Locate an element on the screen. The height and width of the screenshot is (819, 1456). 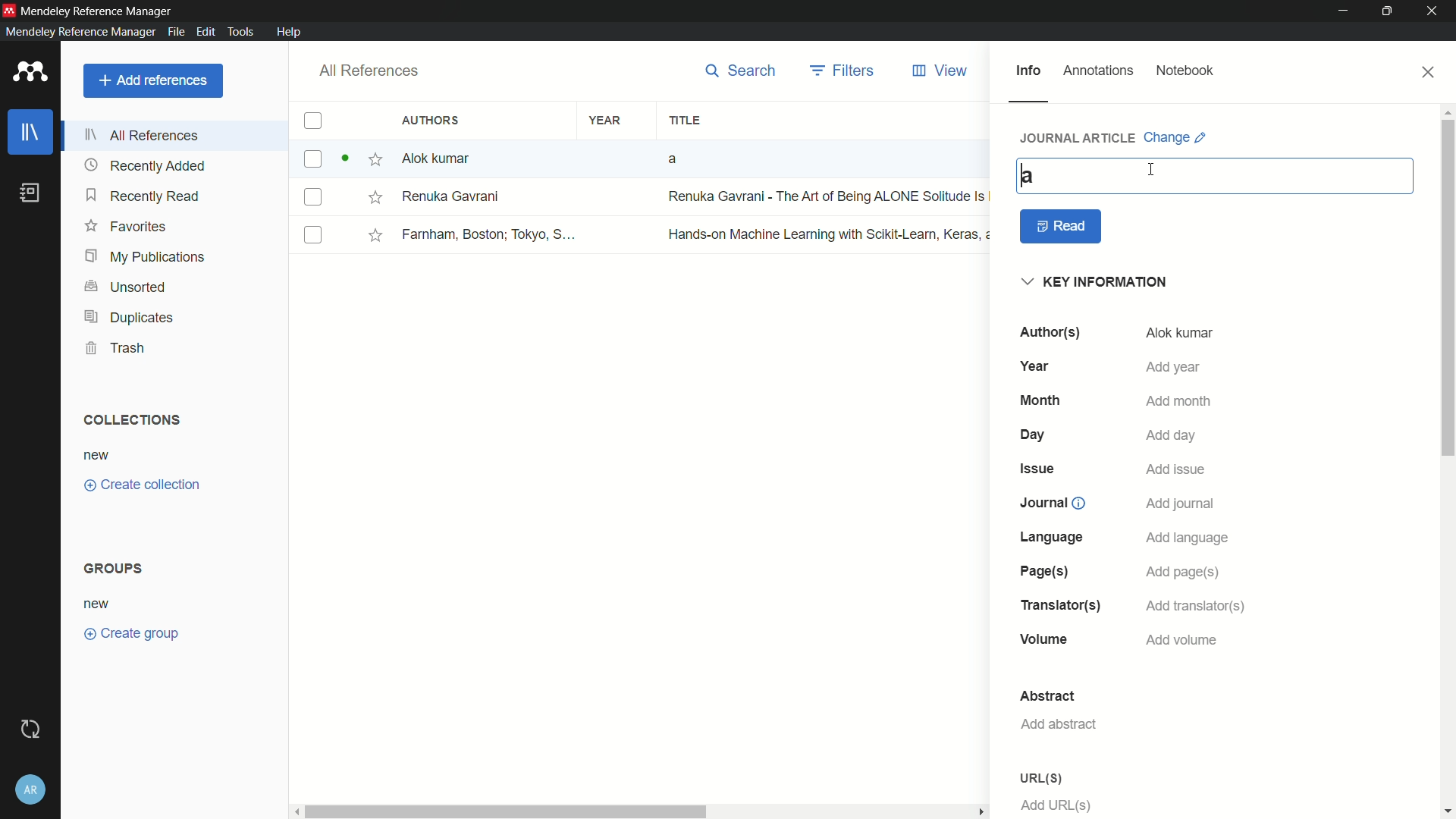
app icon is located at coordinates (9, 10).